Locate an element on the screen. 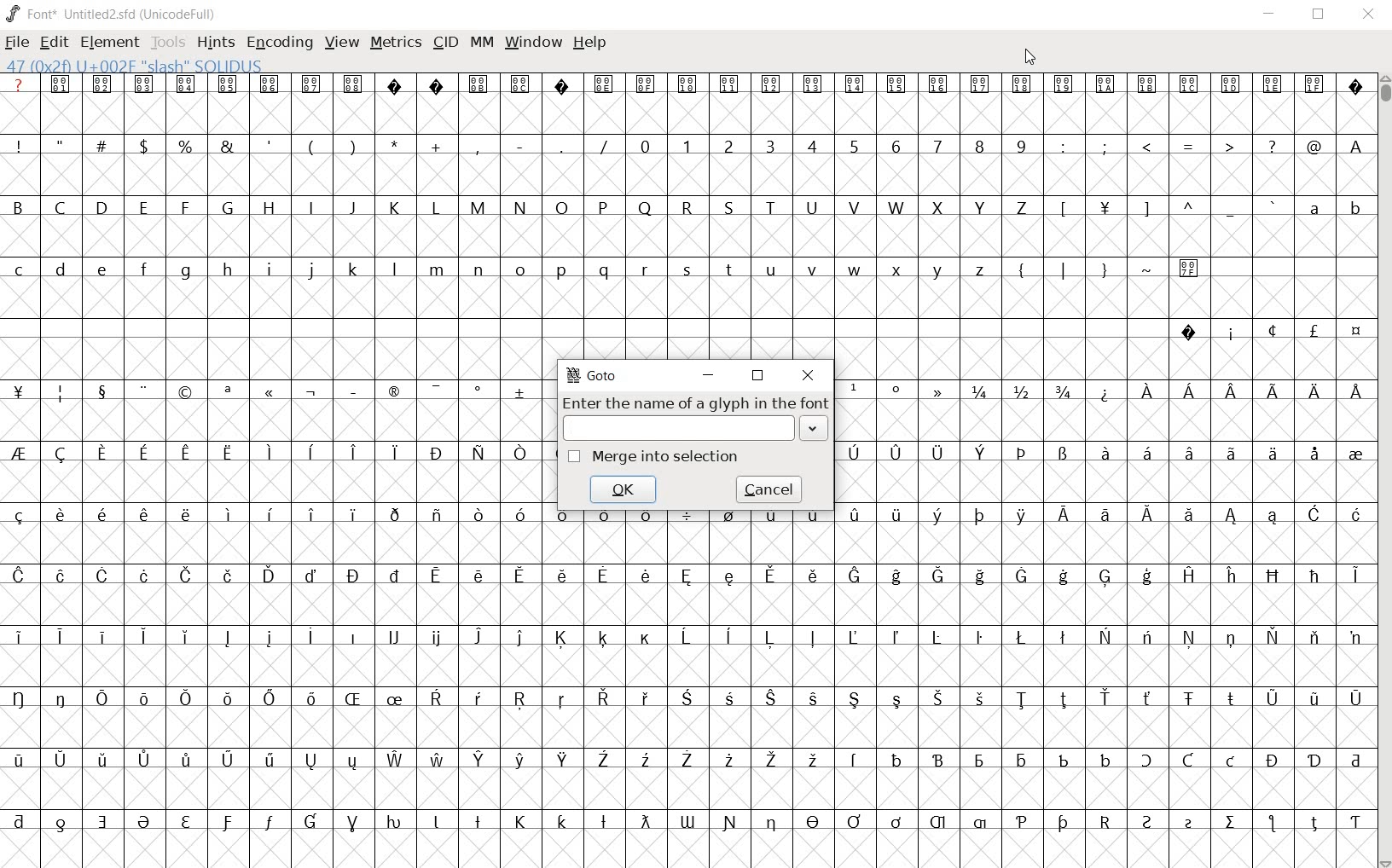 The height and width of the screenshot is (868, 1392). special letters is located at coordinates (690, 636).